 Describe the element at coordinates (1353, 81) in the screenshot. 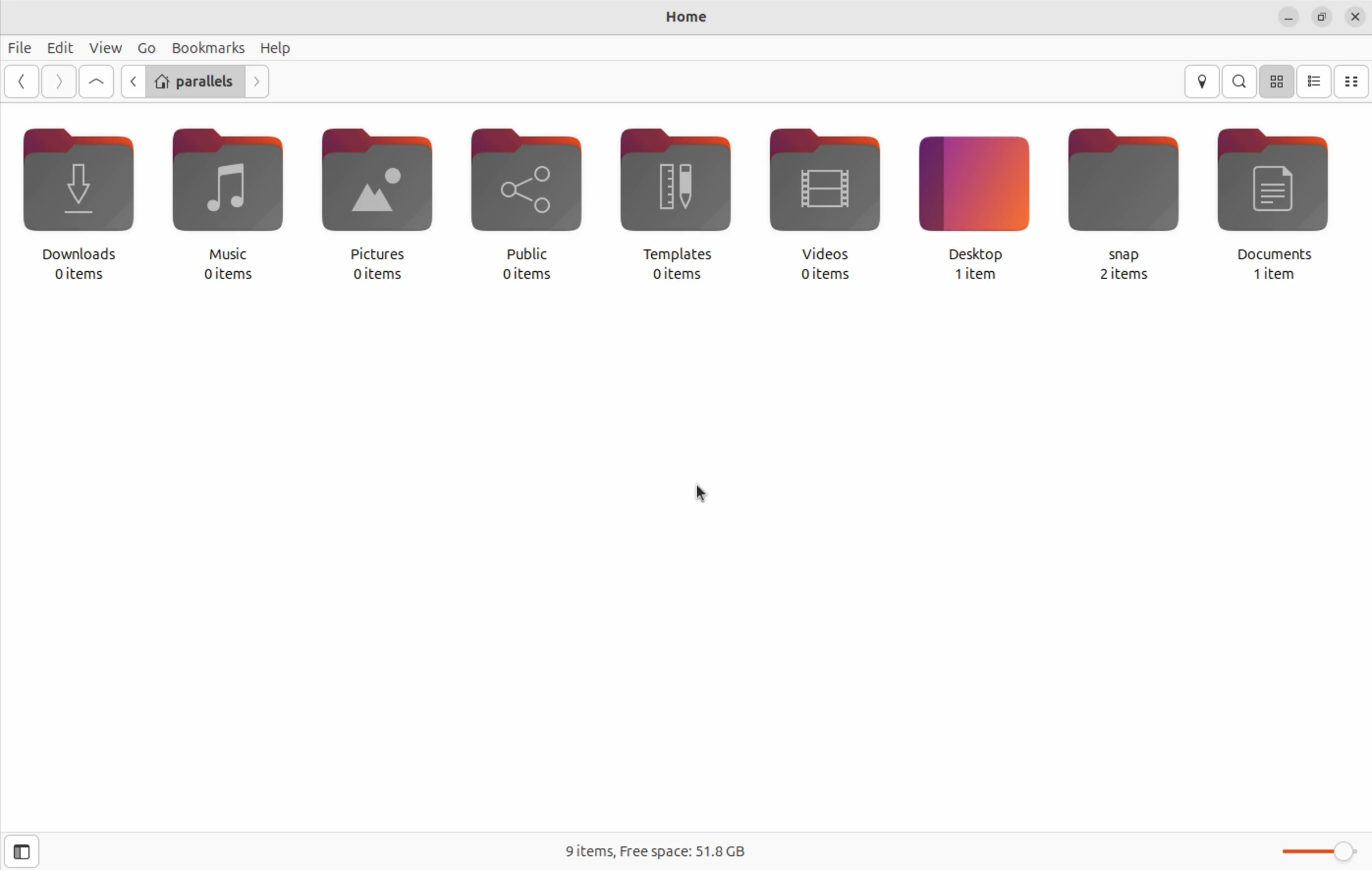

I see `compact view` at that location.